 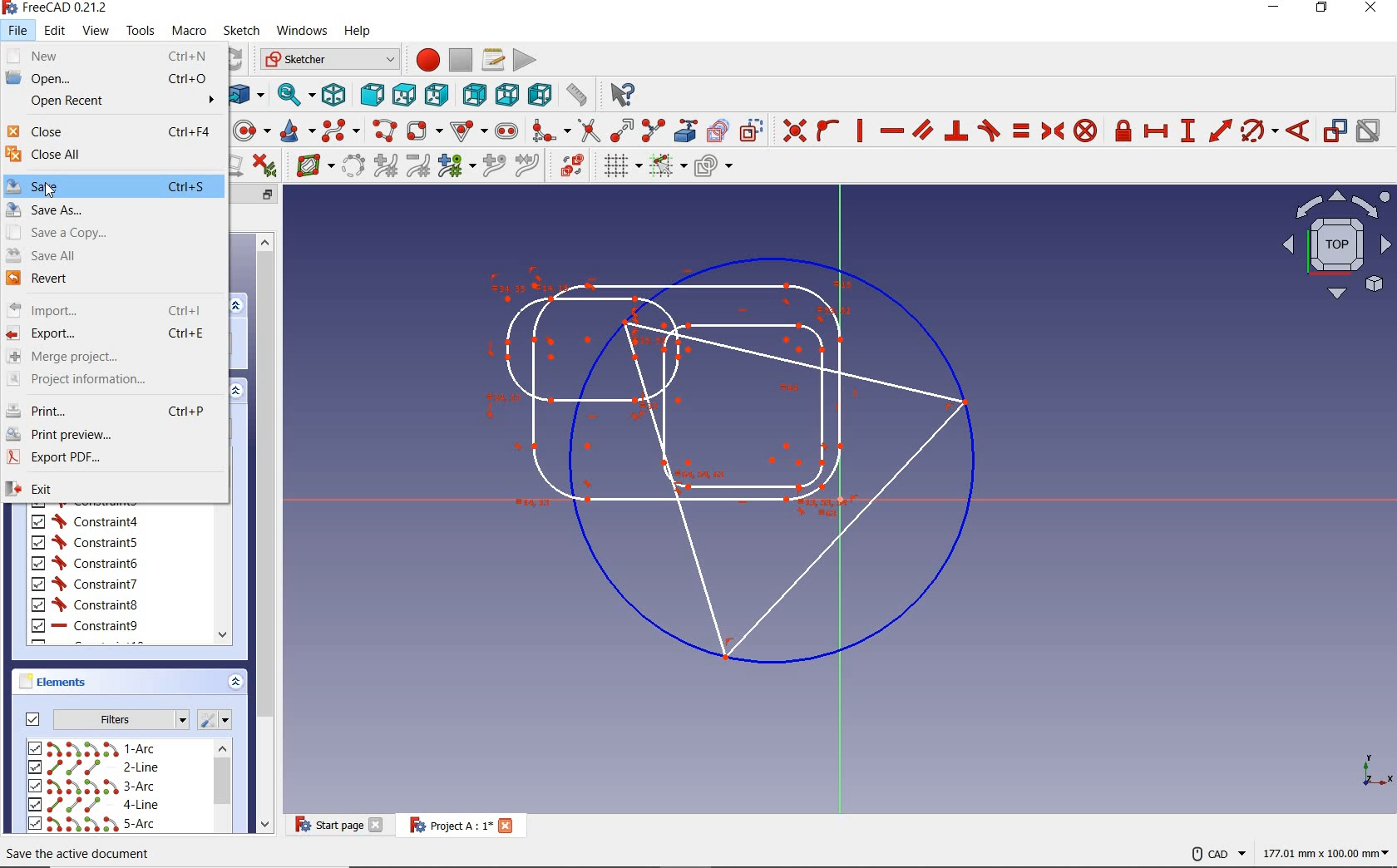 What do you see at coordinates (435, 94) in the screenshot?
I see `right` at bounding box center [435, 94].